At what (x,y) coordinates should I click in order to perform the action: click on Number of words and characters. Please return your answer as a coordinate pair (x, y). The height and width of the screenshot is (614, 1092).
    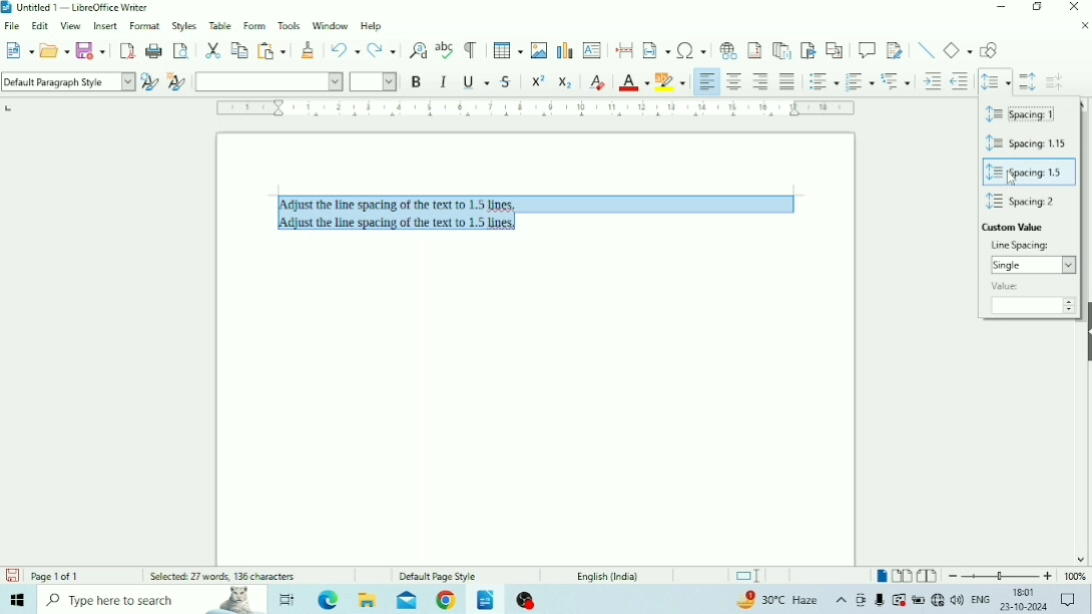
    Looking at the image, I should click on (222, 575).